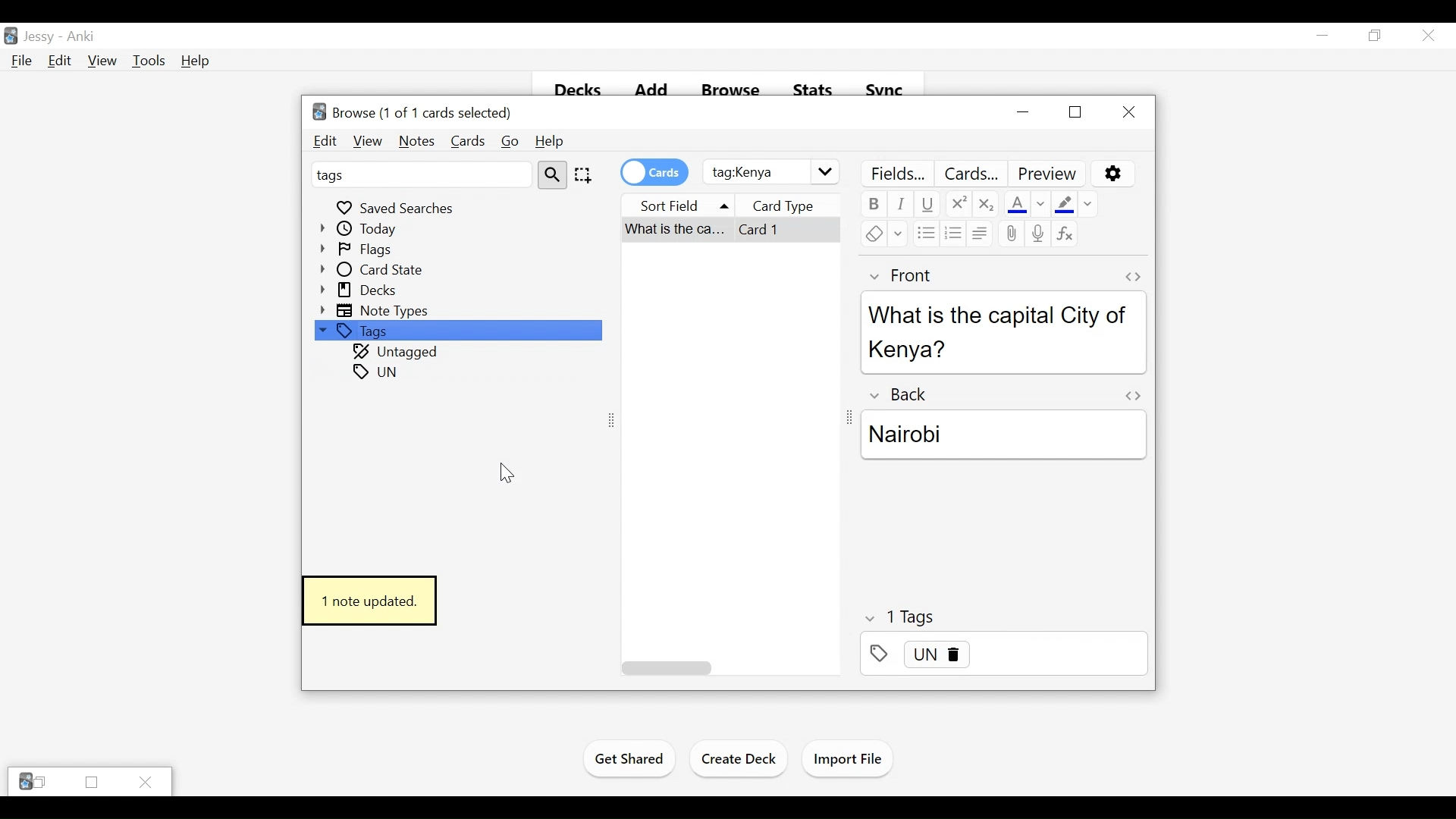  Describe the element at coordinates (958, 205) in the screenshot. I see `Superscript` at that location.